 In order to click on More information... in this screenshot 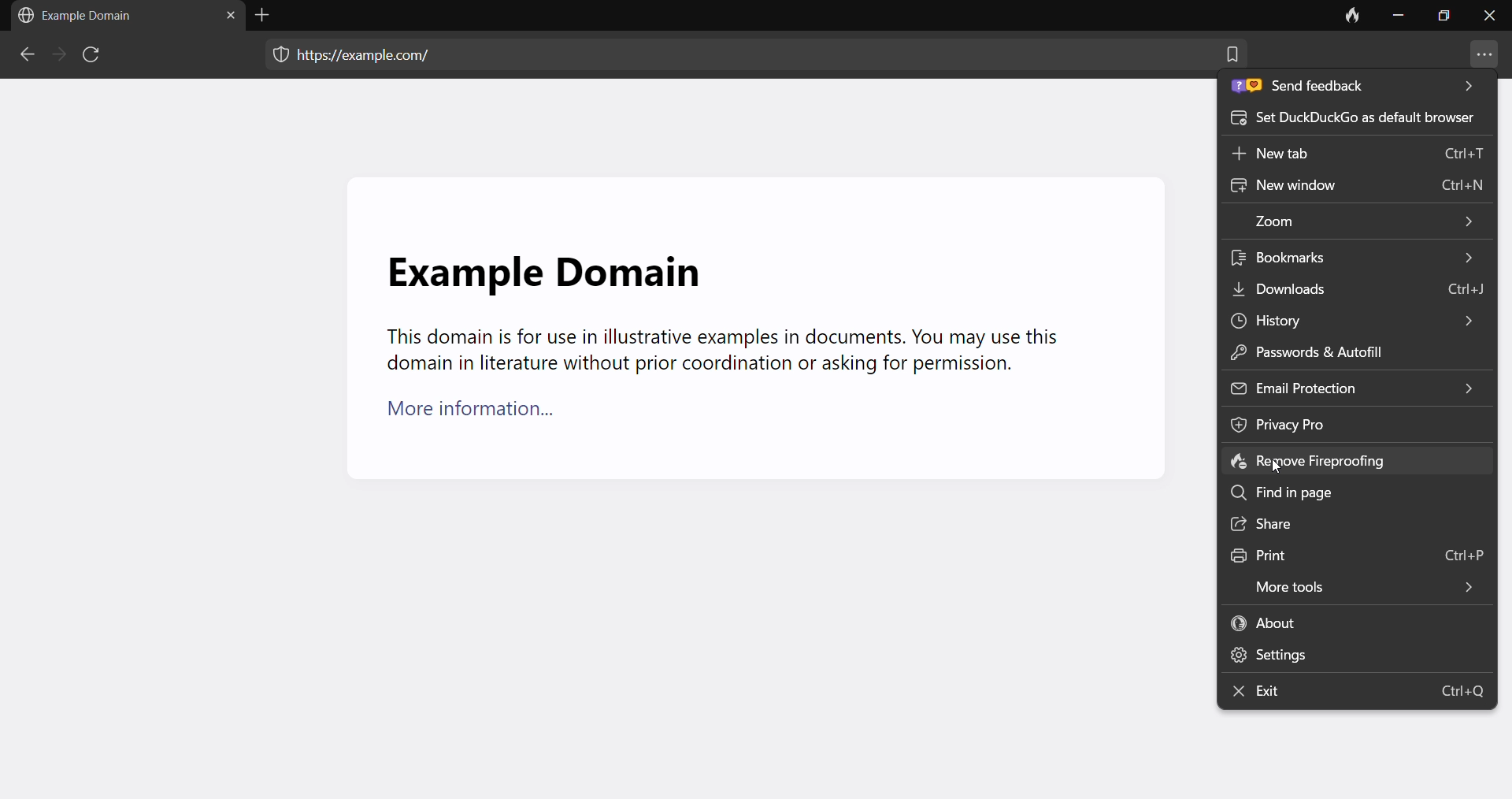, I will do `click(481, 415)`.